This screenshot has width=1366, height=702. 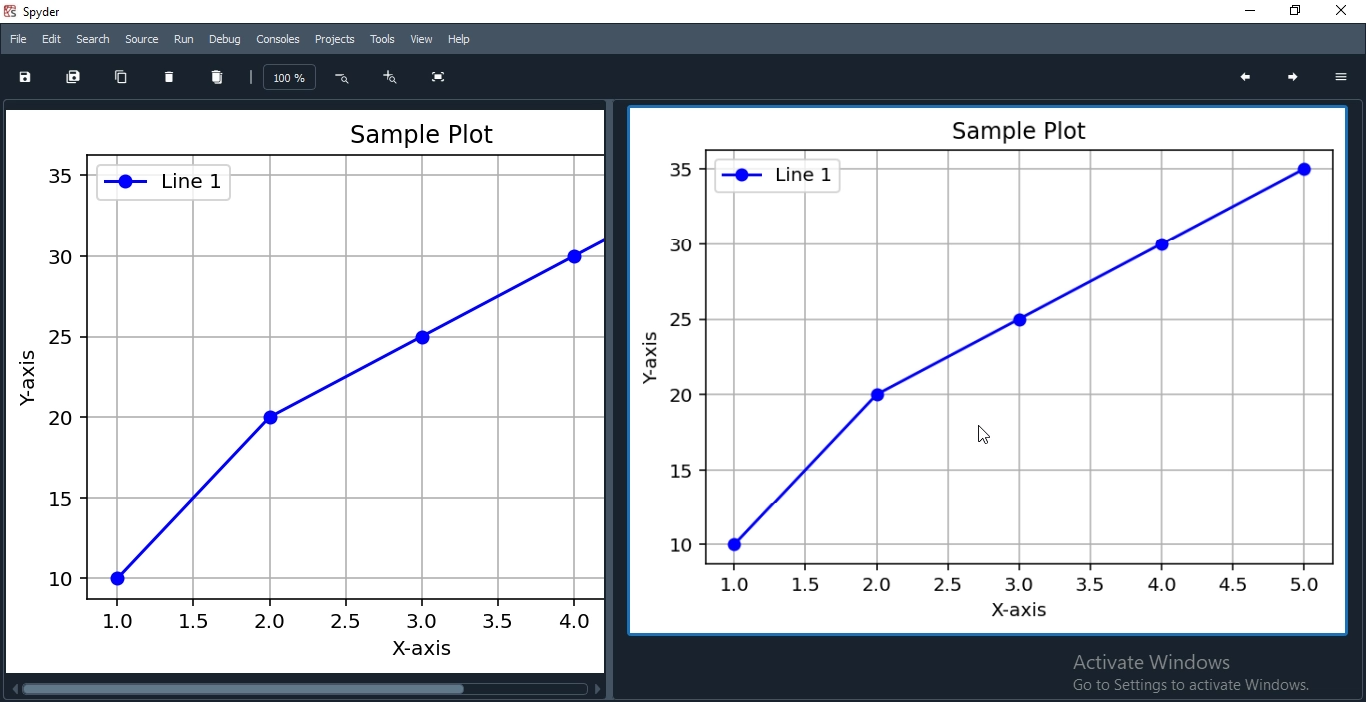 I want to click on Projects, so click(x=335, y=39).